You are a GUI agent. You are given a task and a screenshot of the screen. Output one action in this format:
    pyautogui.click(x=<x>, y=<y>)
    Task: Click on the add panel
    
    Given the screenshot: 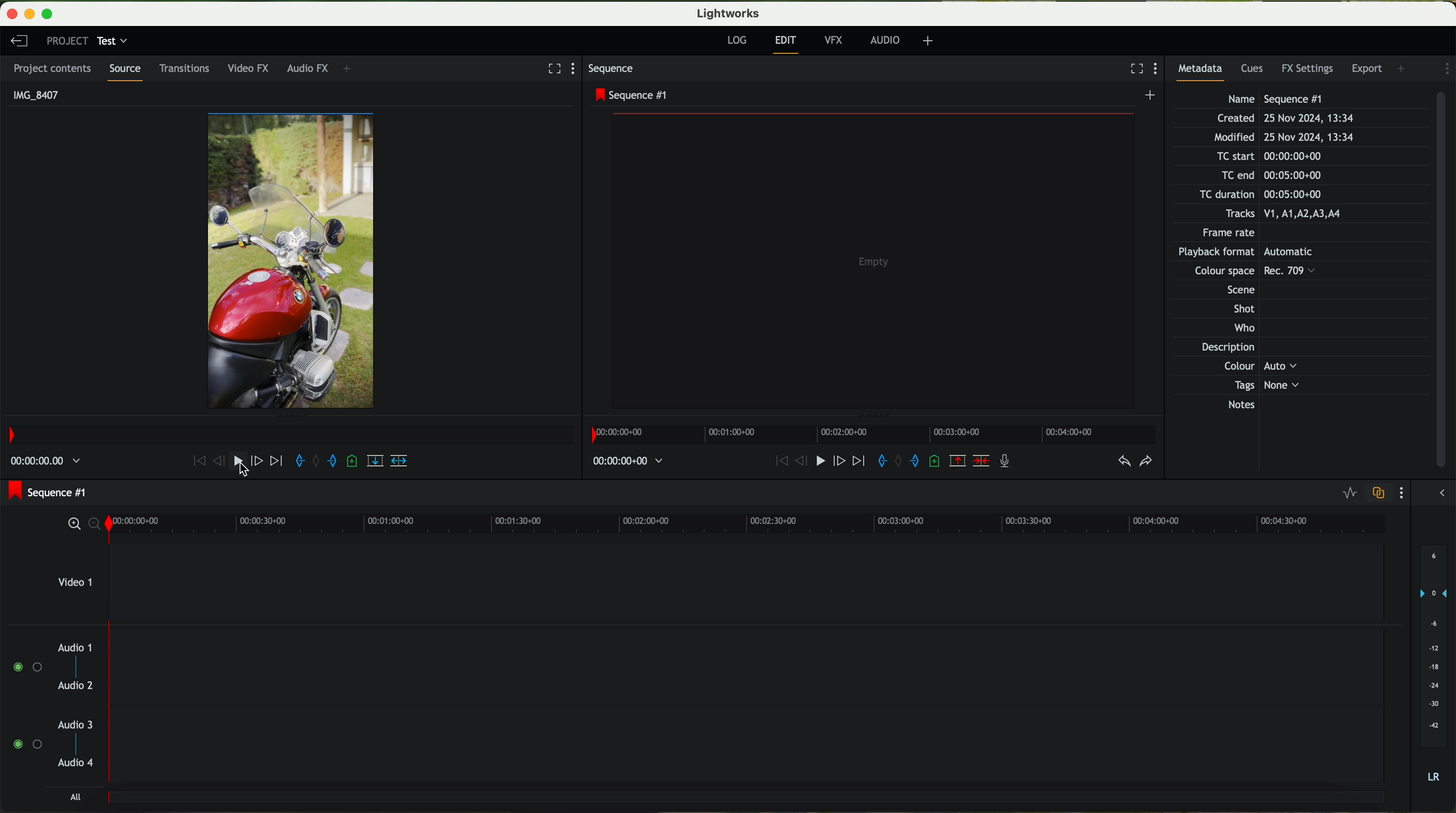 What is the action you would take?
    pyautogui.click(x=1403, y=67)
    